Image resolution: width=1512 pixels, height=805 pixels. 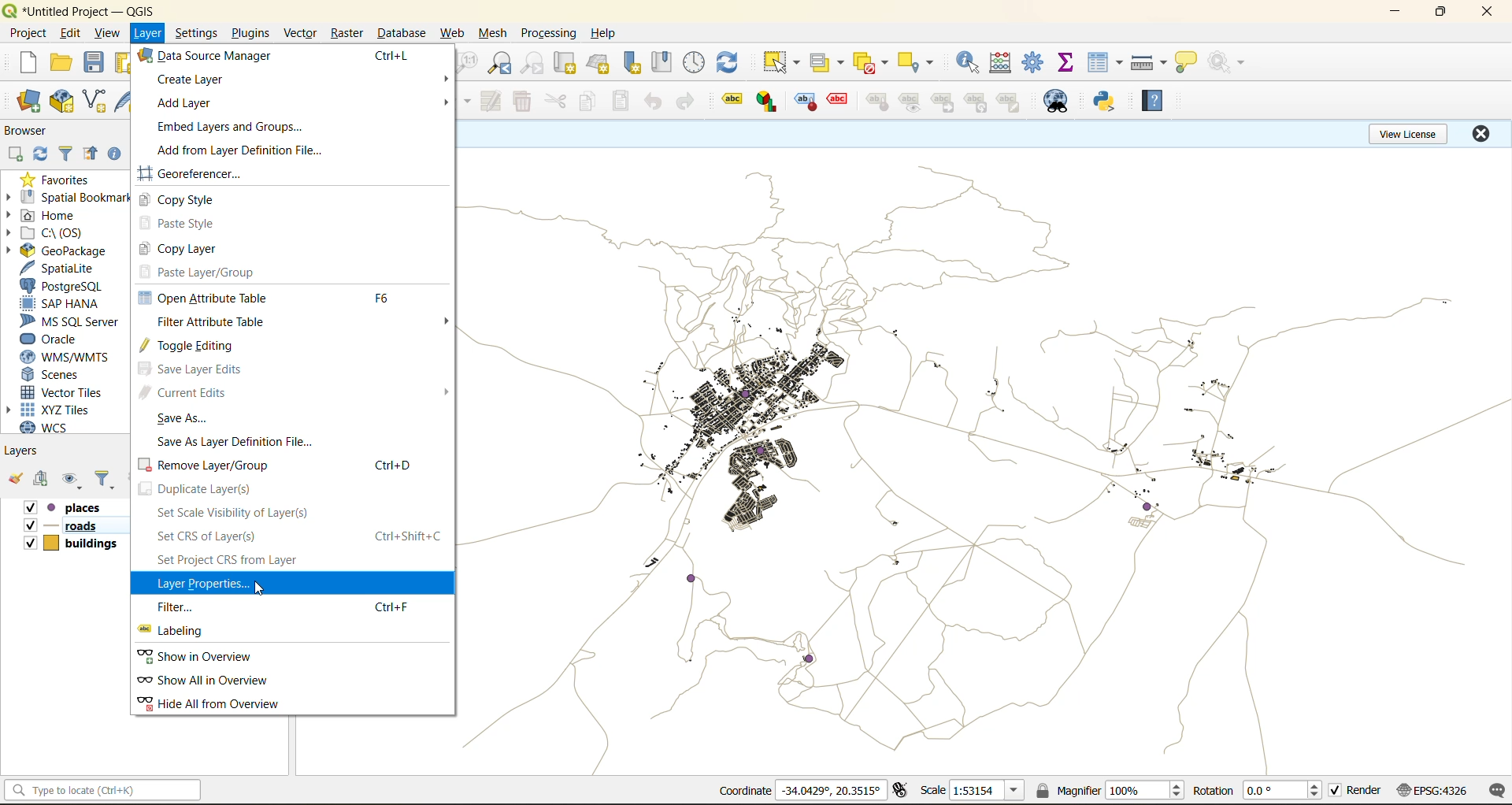 I want to click on copy, so click(x=591, y=102).